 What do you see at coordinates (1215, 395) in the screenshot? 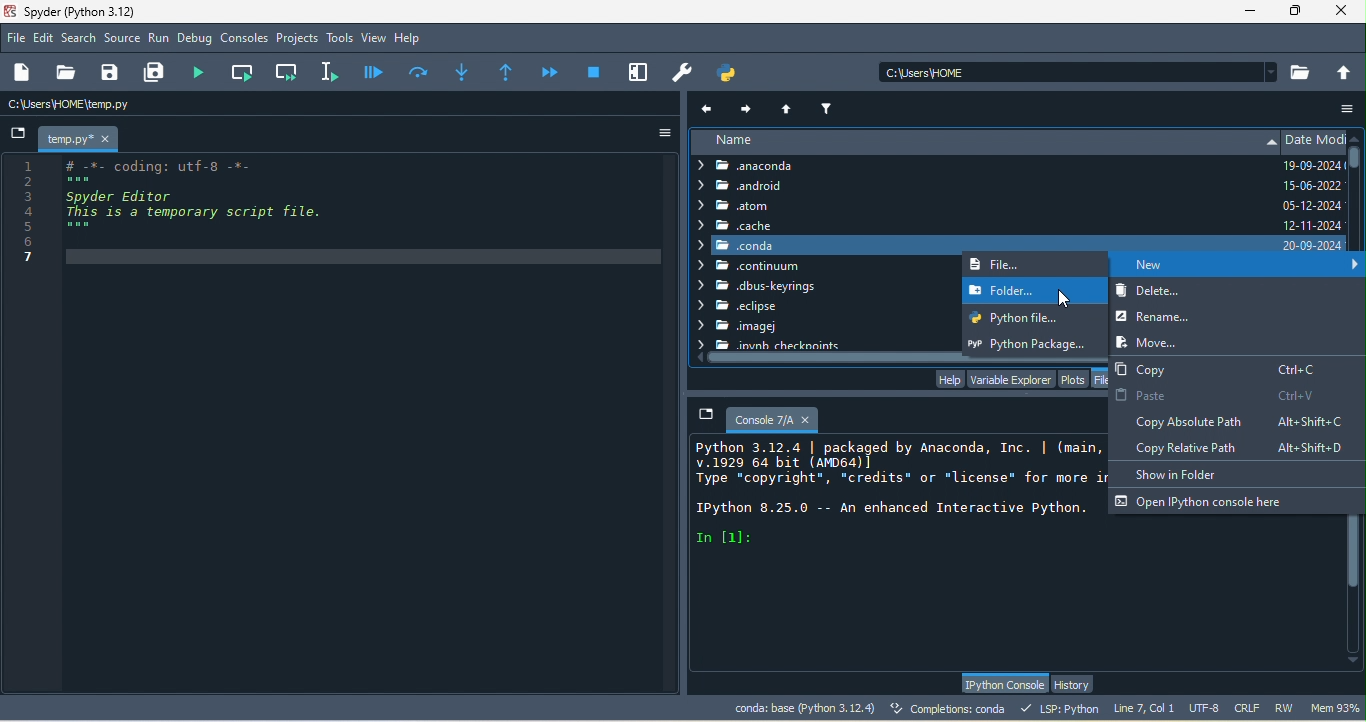
I see `paste` at bounding box center [1215, 395].